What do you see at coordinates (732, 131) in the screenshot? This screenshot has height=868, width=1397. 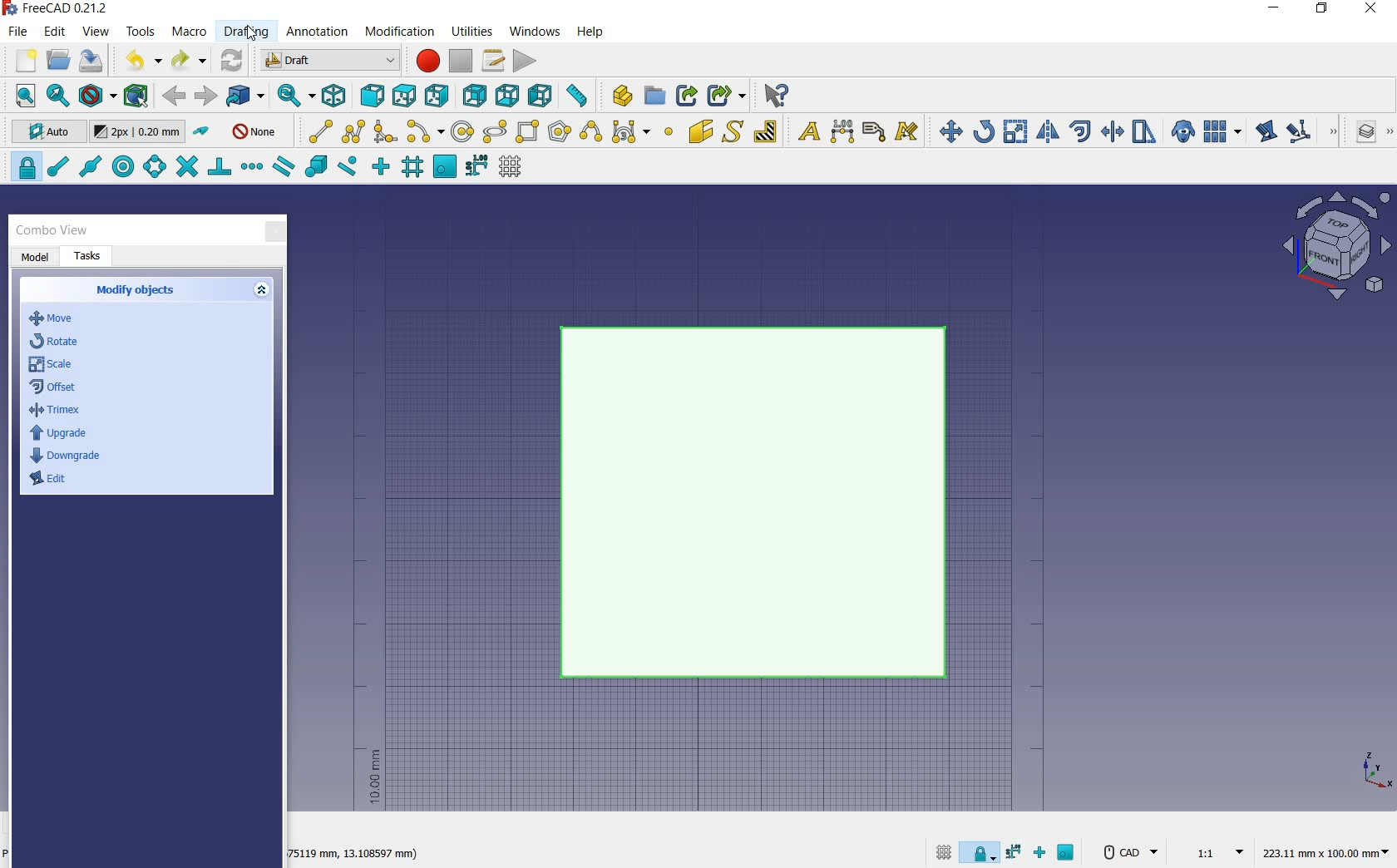 I see `shape from text` at bounding box center [732, 131].